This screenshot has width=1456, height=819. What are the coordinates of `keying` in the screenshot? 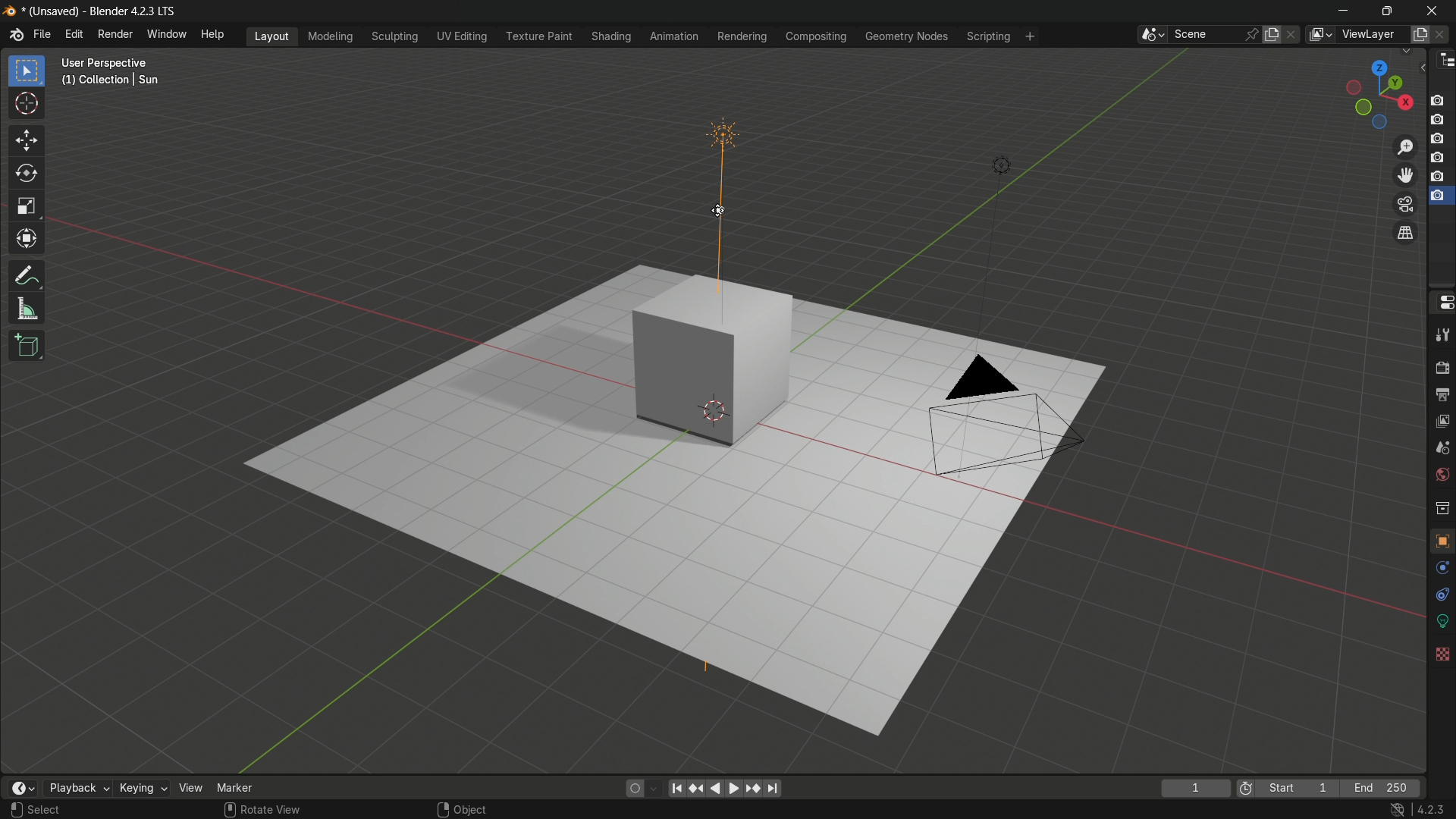 It's located at (139, 787).